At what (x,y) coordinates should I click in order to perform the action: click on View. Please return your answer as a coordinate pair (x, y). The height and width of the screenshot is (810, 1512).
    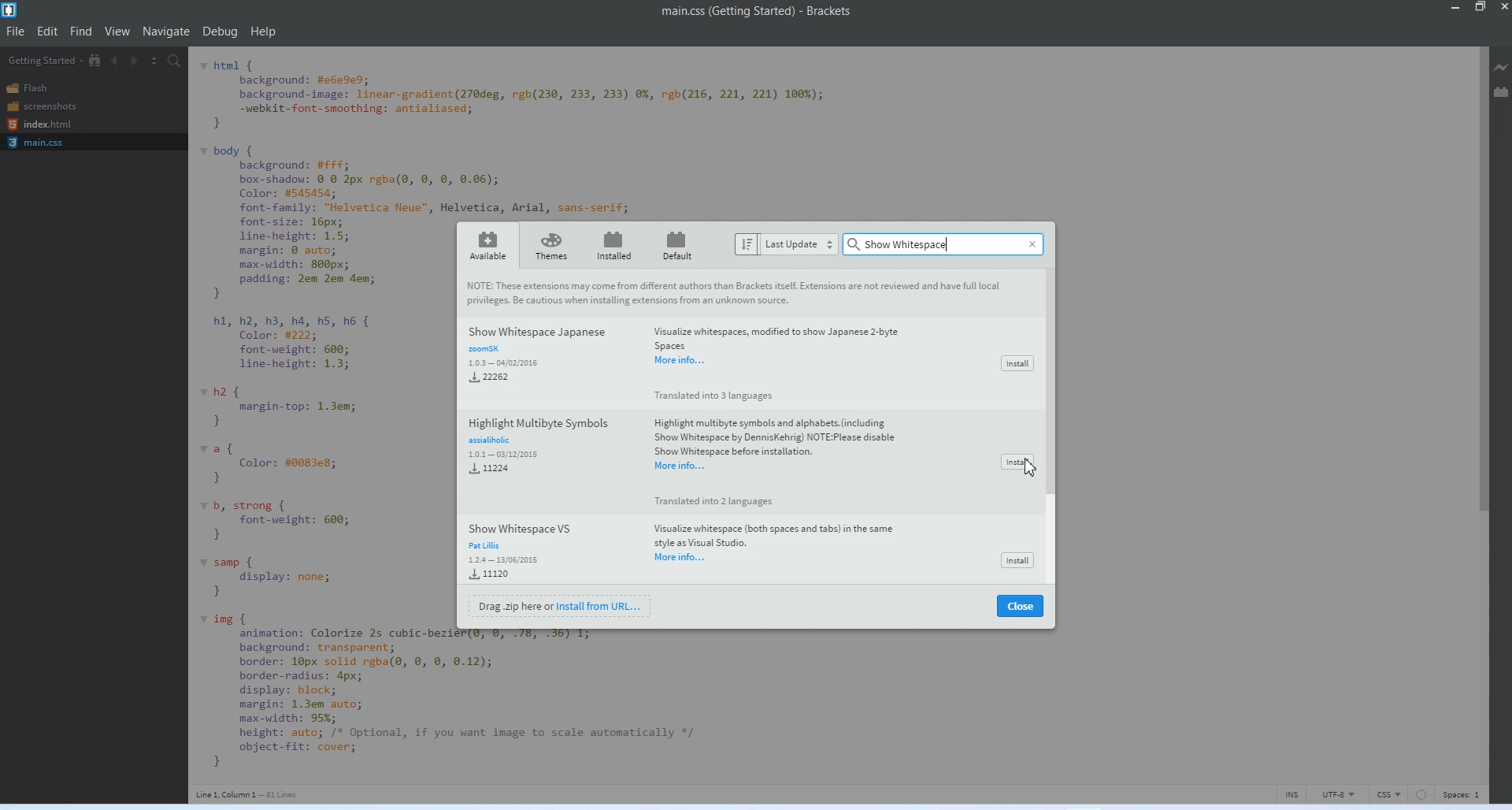
    Looking at the image, I should click on (119, 31).